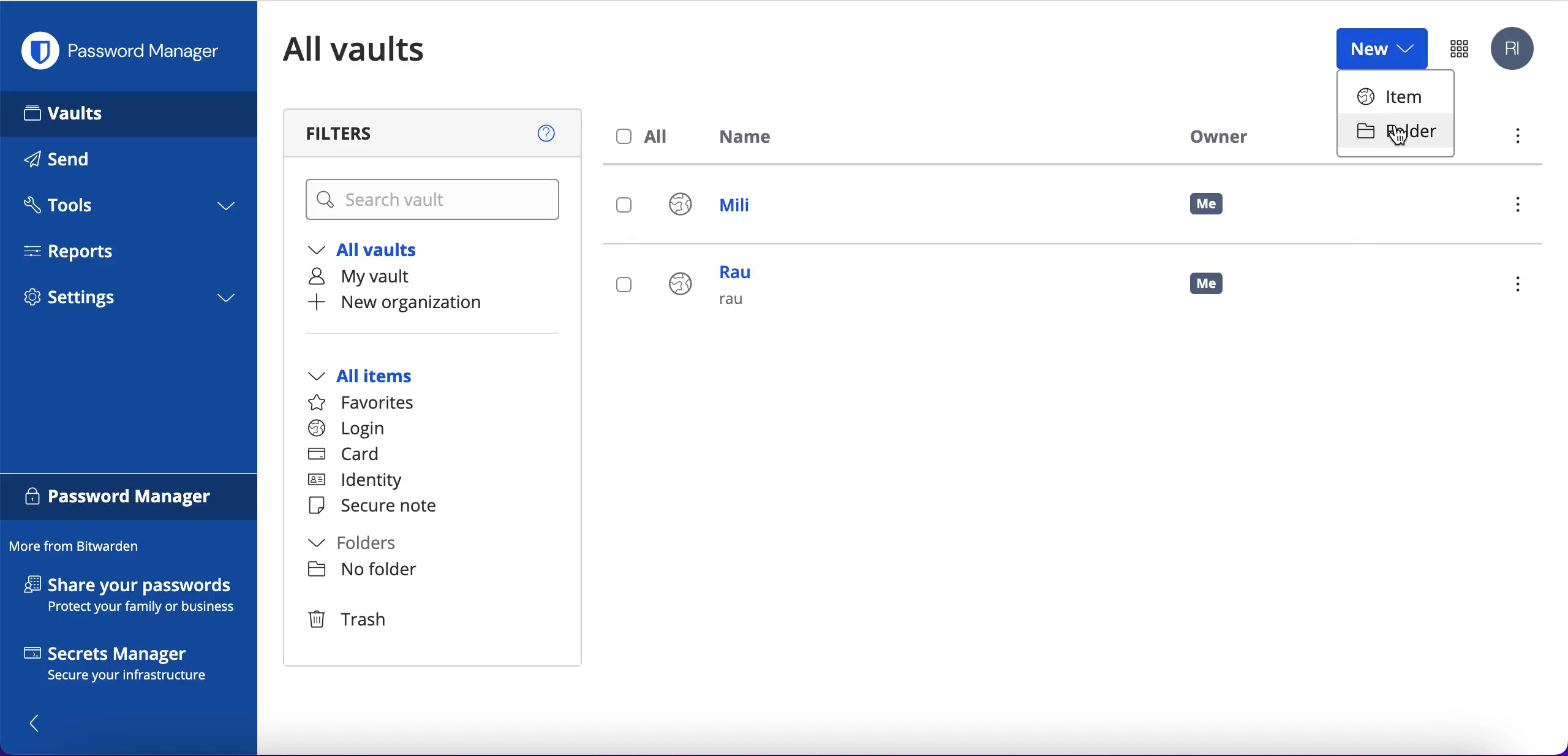 The height and width of the screenshot is (756, 1568). What do you see at coordinates (75, 162) in the screenshot?
I see `send` at bounding box center [75, 162].